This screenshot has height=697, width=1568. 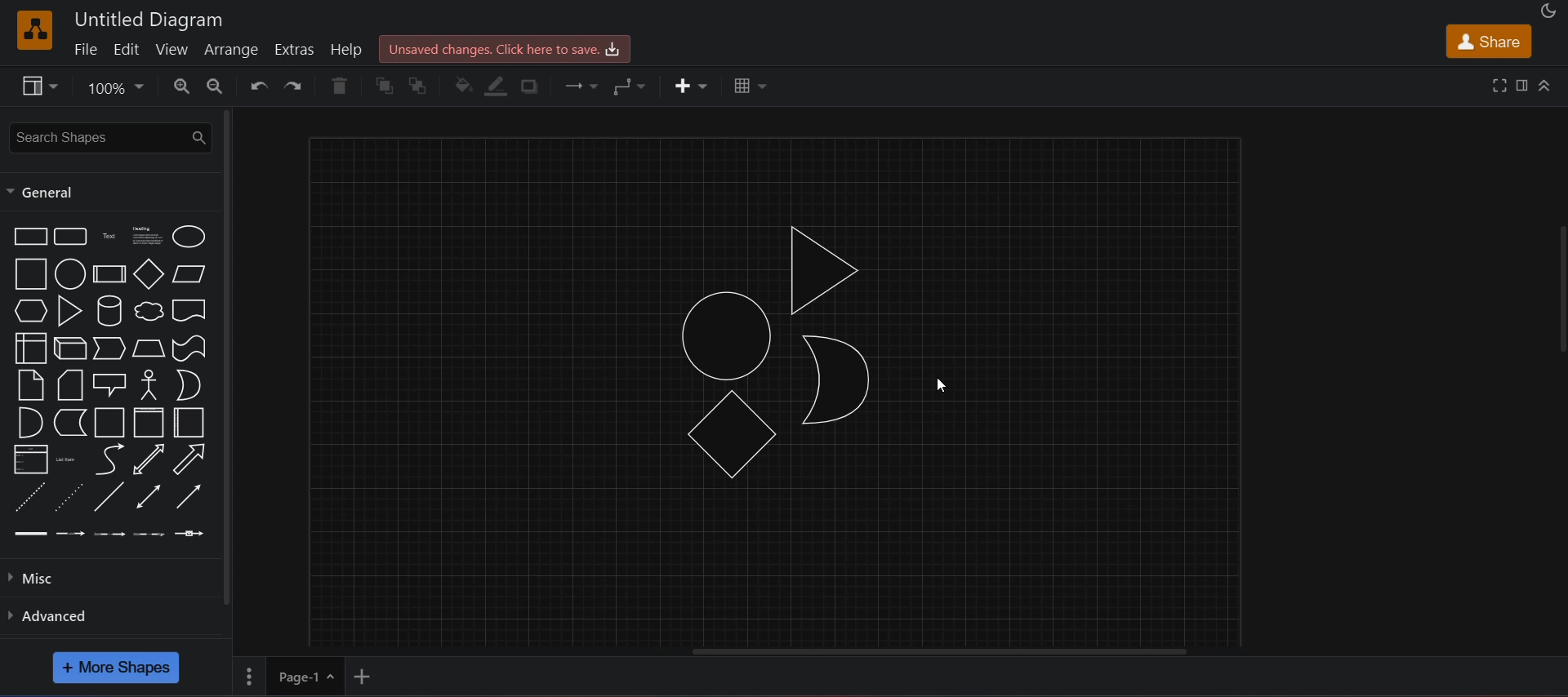 What do you see at coordinates (1546, 84) in the screenshot?
I see `collapase/expand` at bounding box center [1546, 84].